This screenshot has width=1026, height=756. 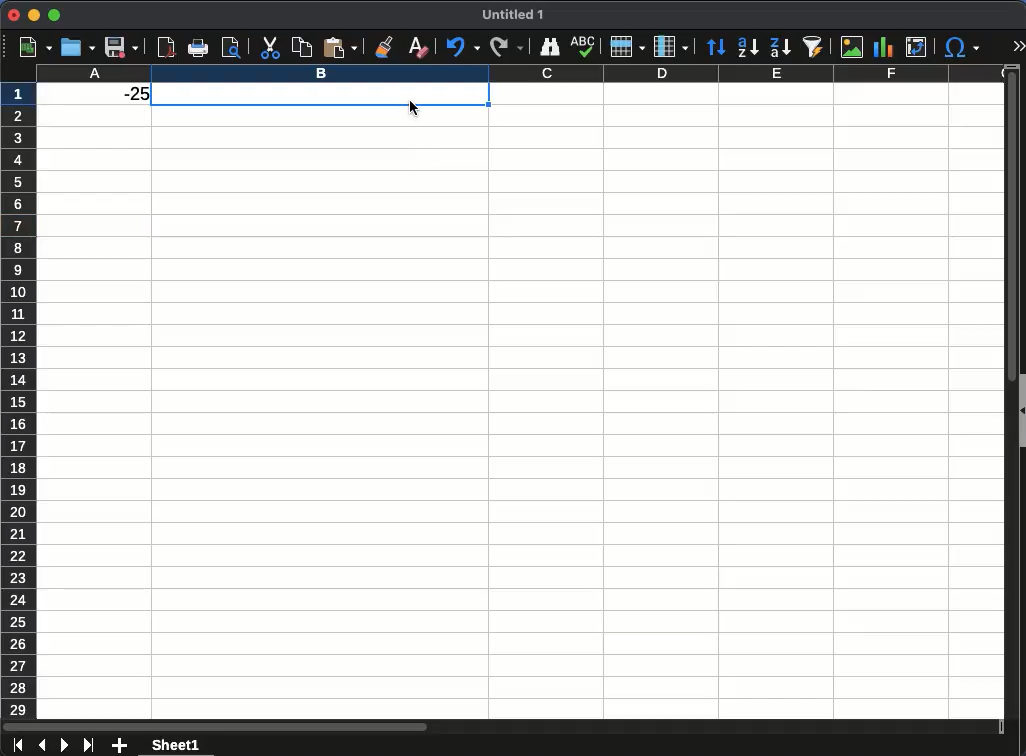 What do you see at coordinates (120, 744) in the screenshot?
I see `add sheet` at bounding box center [120, 744].